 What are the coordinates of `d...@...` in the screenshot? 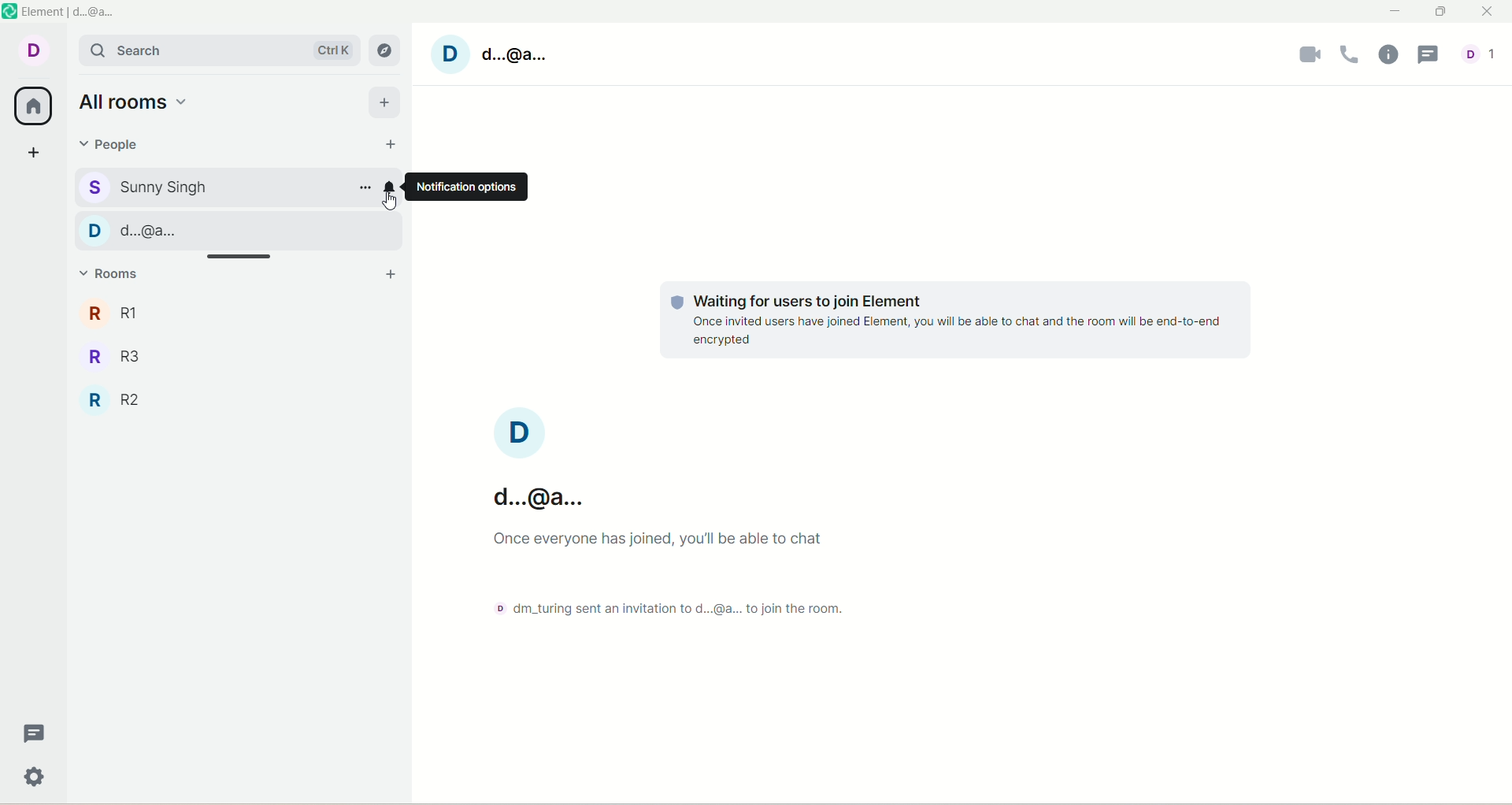 It's located at (235, 228).